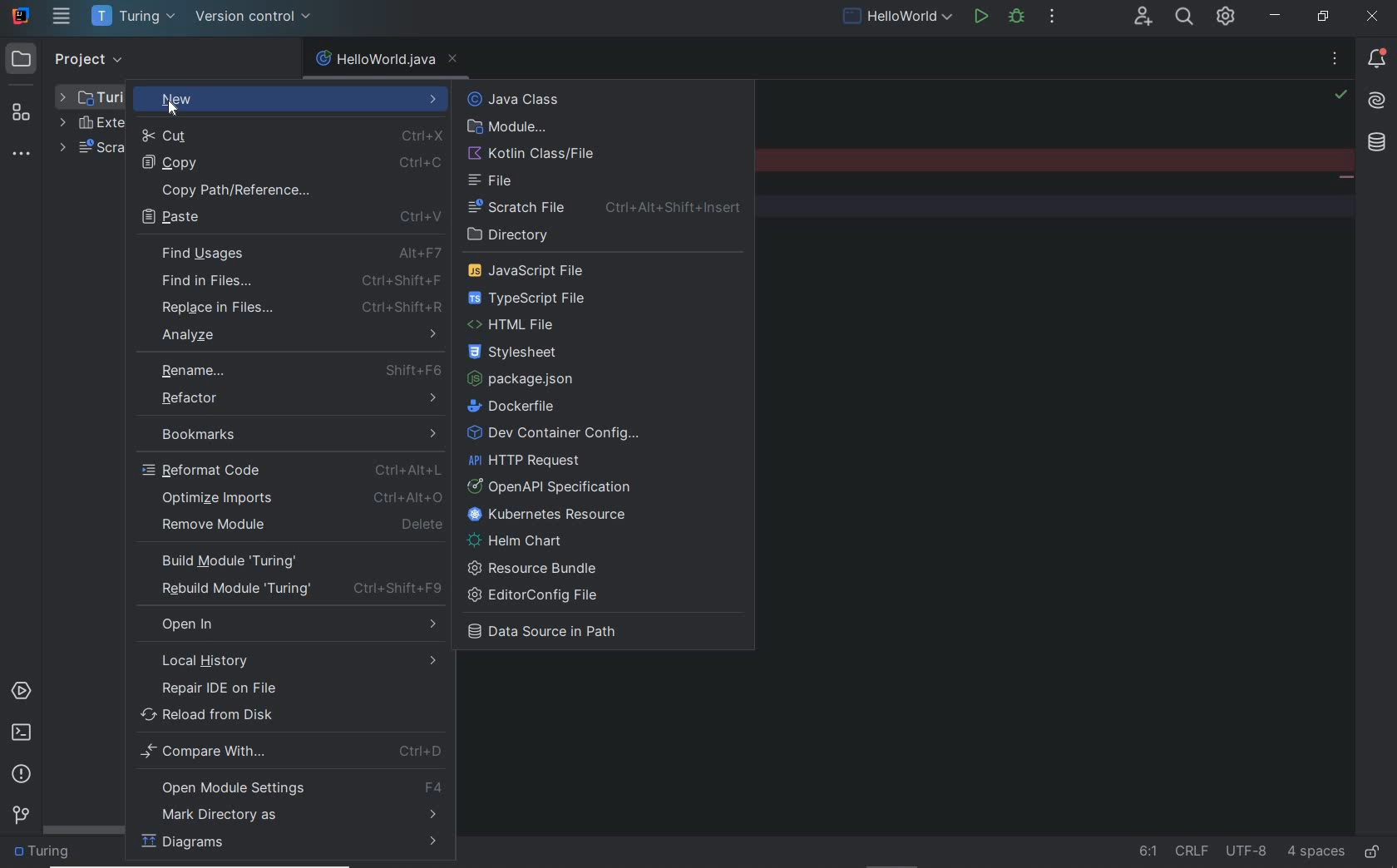 The width and height of the screenshot is (1397, 868). What do you see at coordinates (289, 845) in the screenshot?
I see `diagrams` at bounding box center [289, 845].